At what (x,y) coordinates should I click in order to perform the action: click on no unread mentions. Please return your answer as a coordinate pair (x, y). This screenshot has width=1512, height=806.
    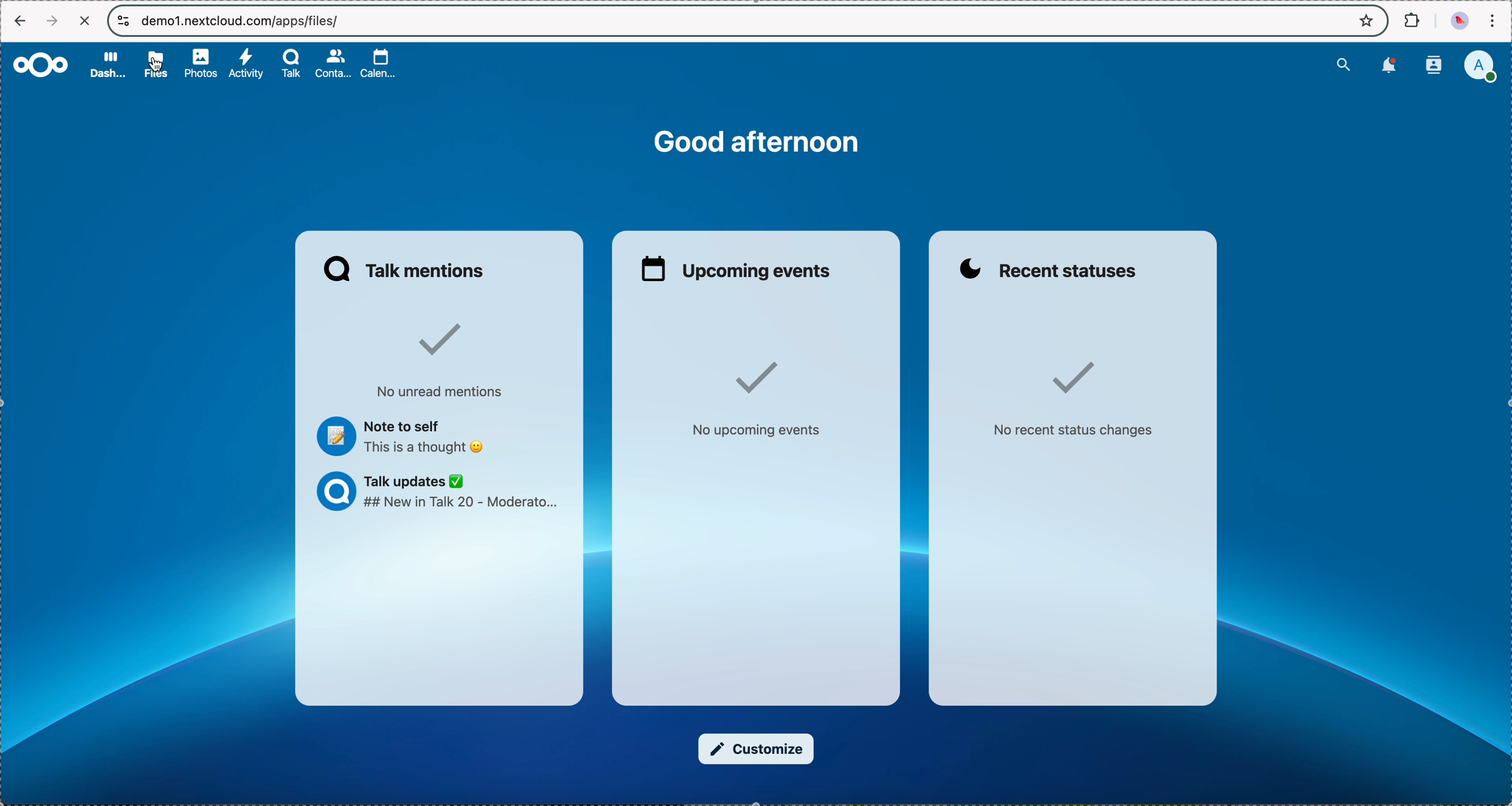
    Looking at the image, I should click on (447, 358).